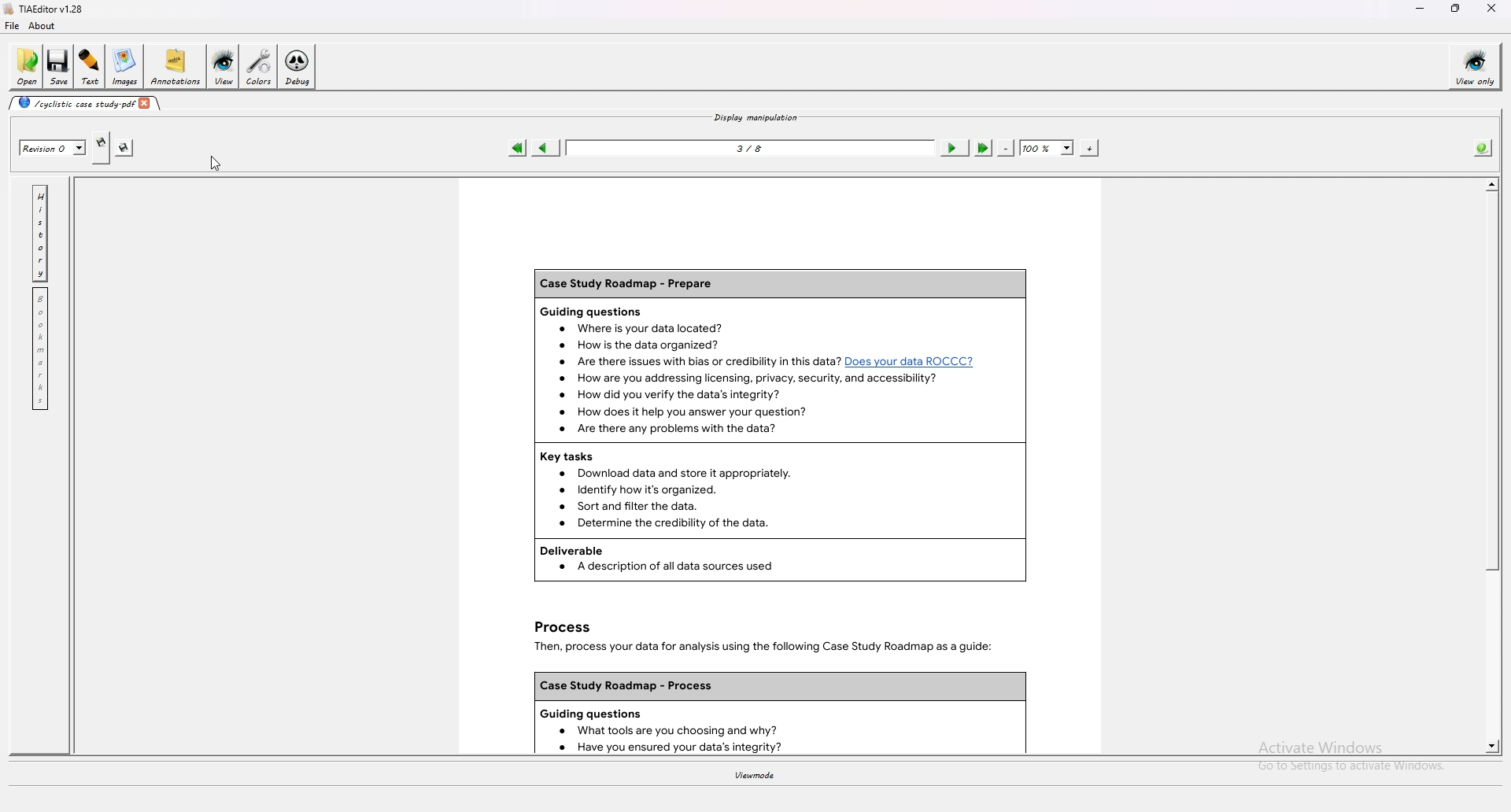 The height and width of the screenshot is (812, 1511). What do you see at coordinates (574, 551) in the screenshot?
I see `Deliverable` at bounding box center [574, 551].